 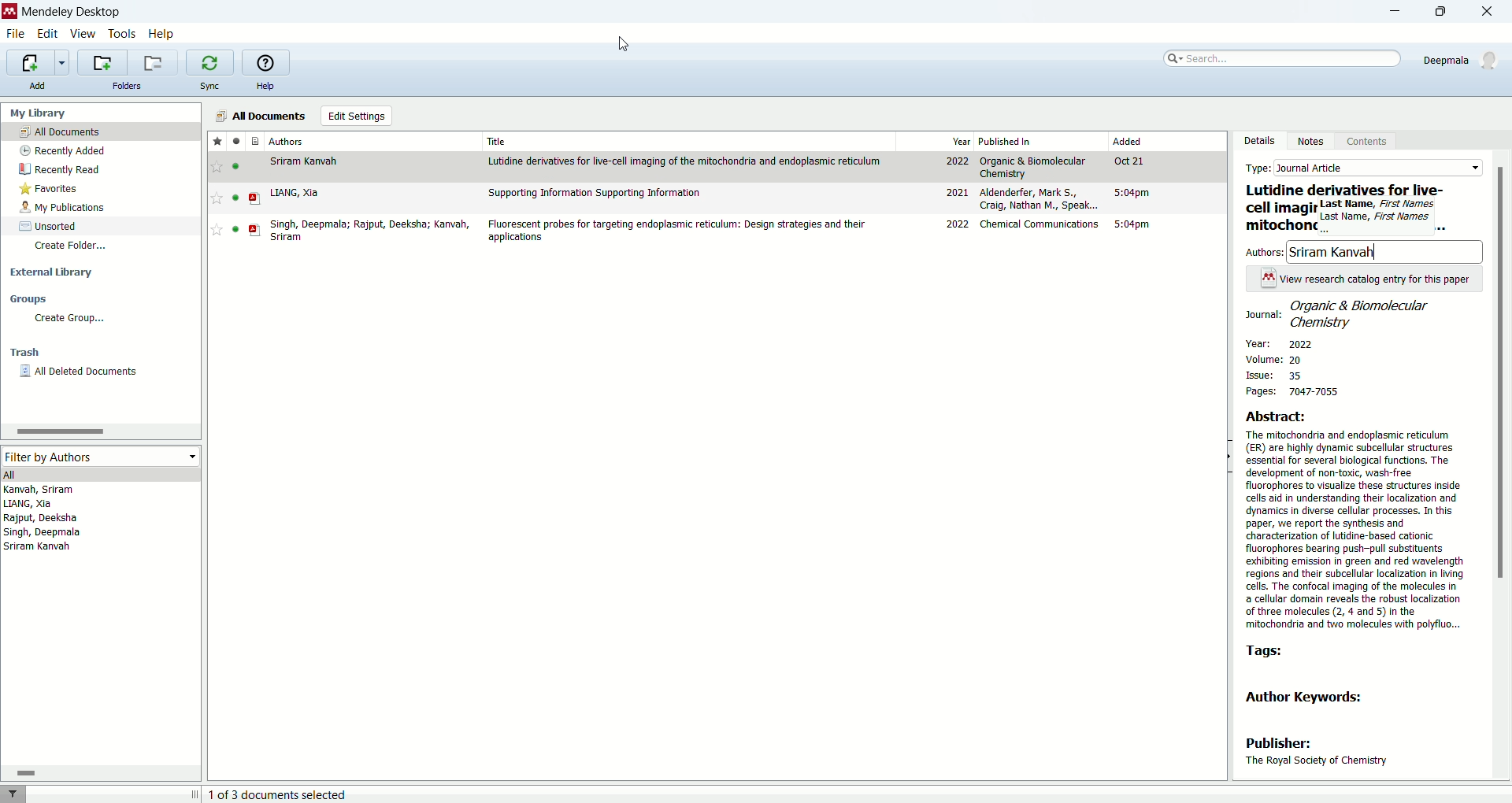 I want to click on details, so click(x=1254, y=143).